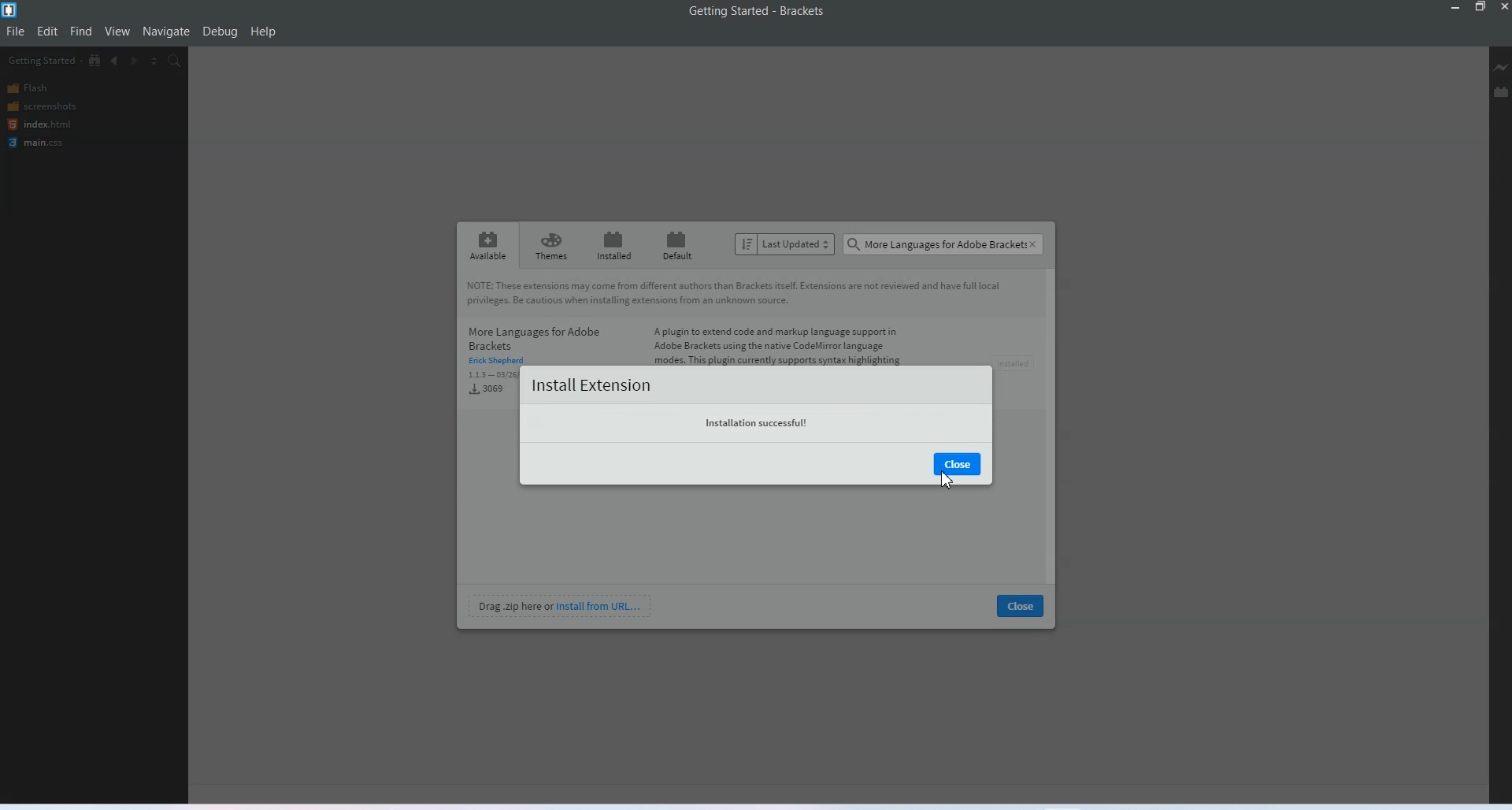 This screenshot has width=1512, height=810. What do you see at coordinates (135, 61) in the screenshot?
I see `Navigate Forwards` at bounding box center [135, 61].